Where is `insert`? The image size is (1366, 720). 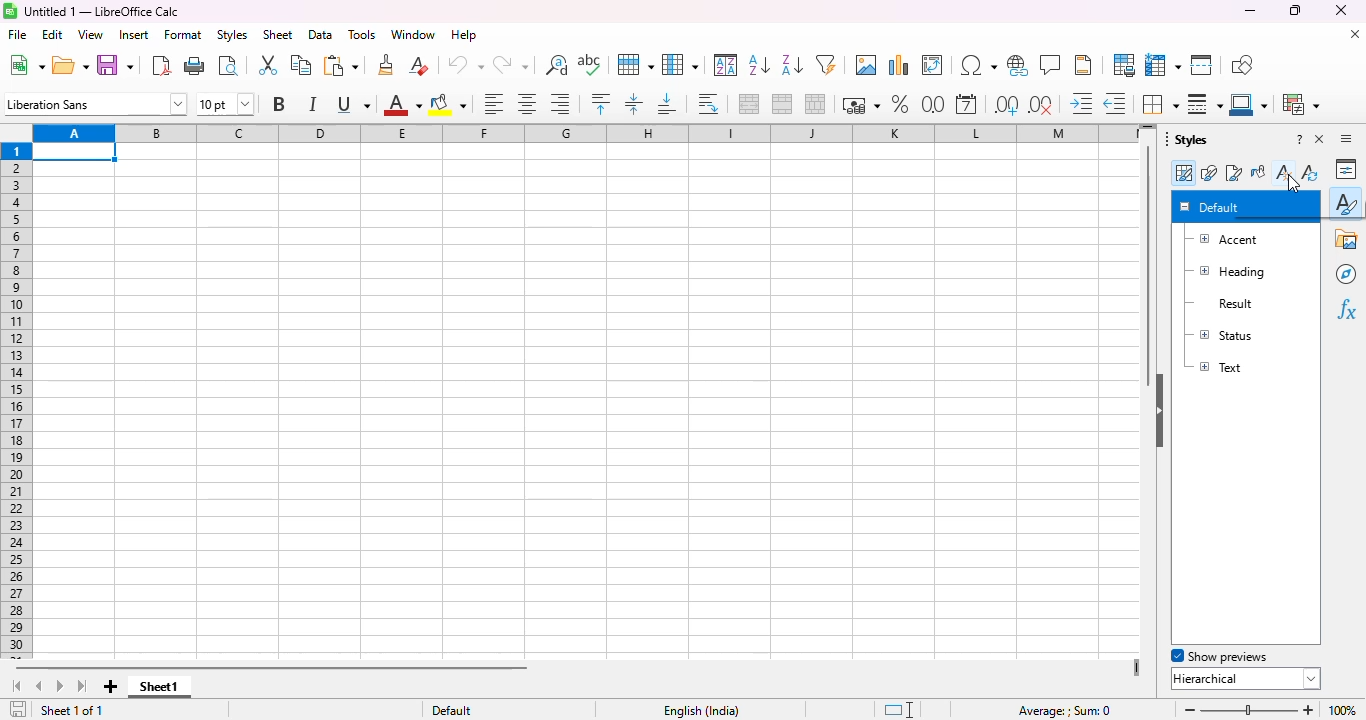 insert is located at coordinates (132, 35).